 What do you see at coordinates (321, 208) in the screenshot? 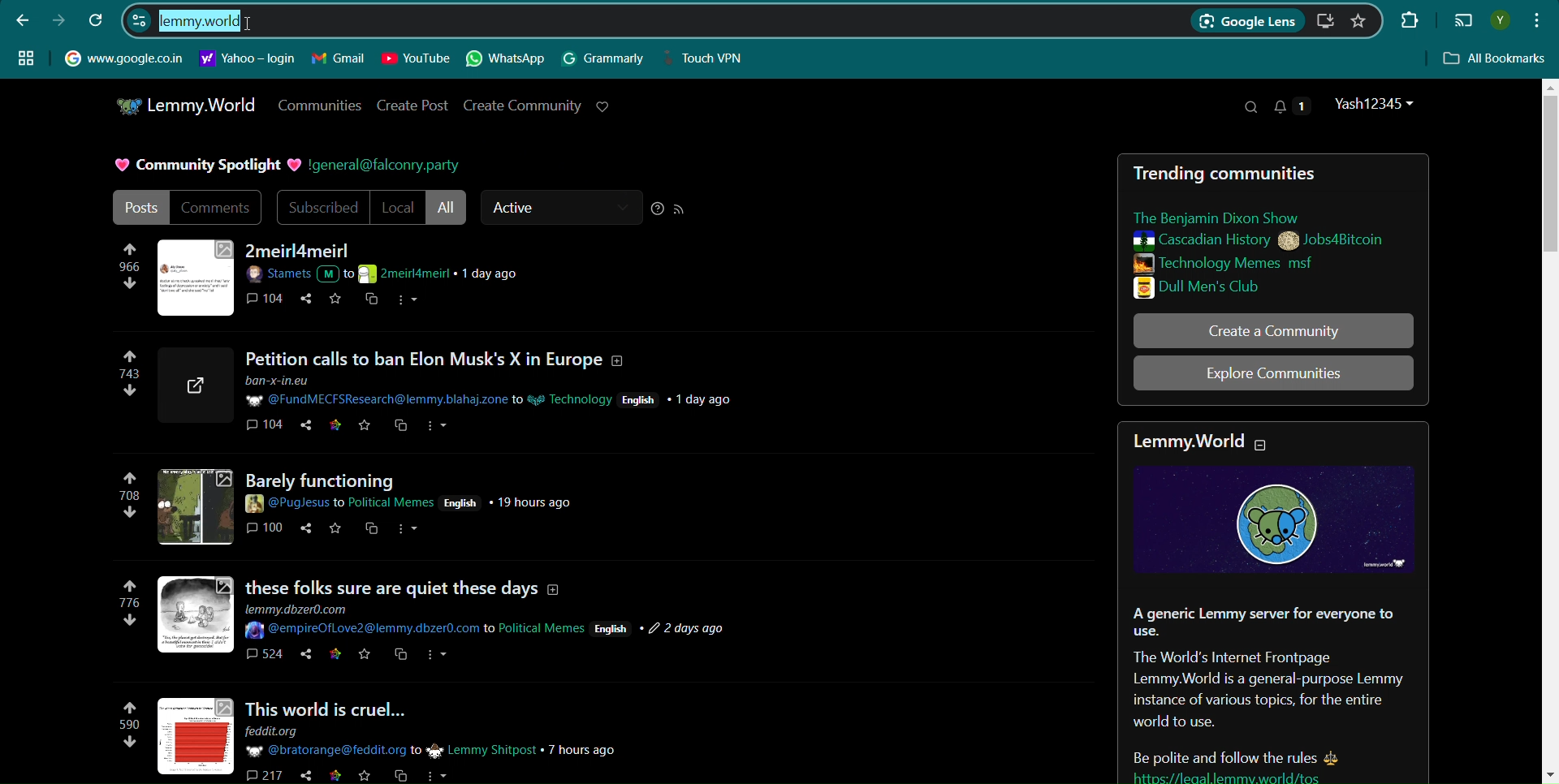
I see `Subscribed` at bounding box center [321, 208].